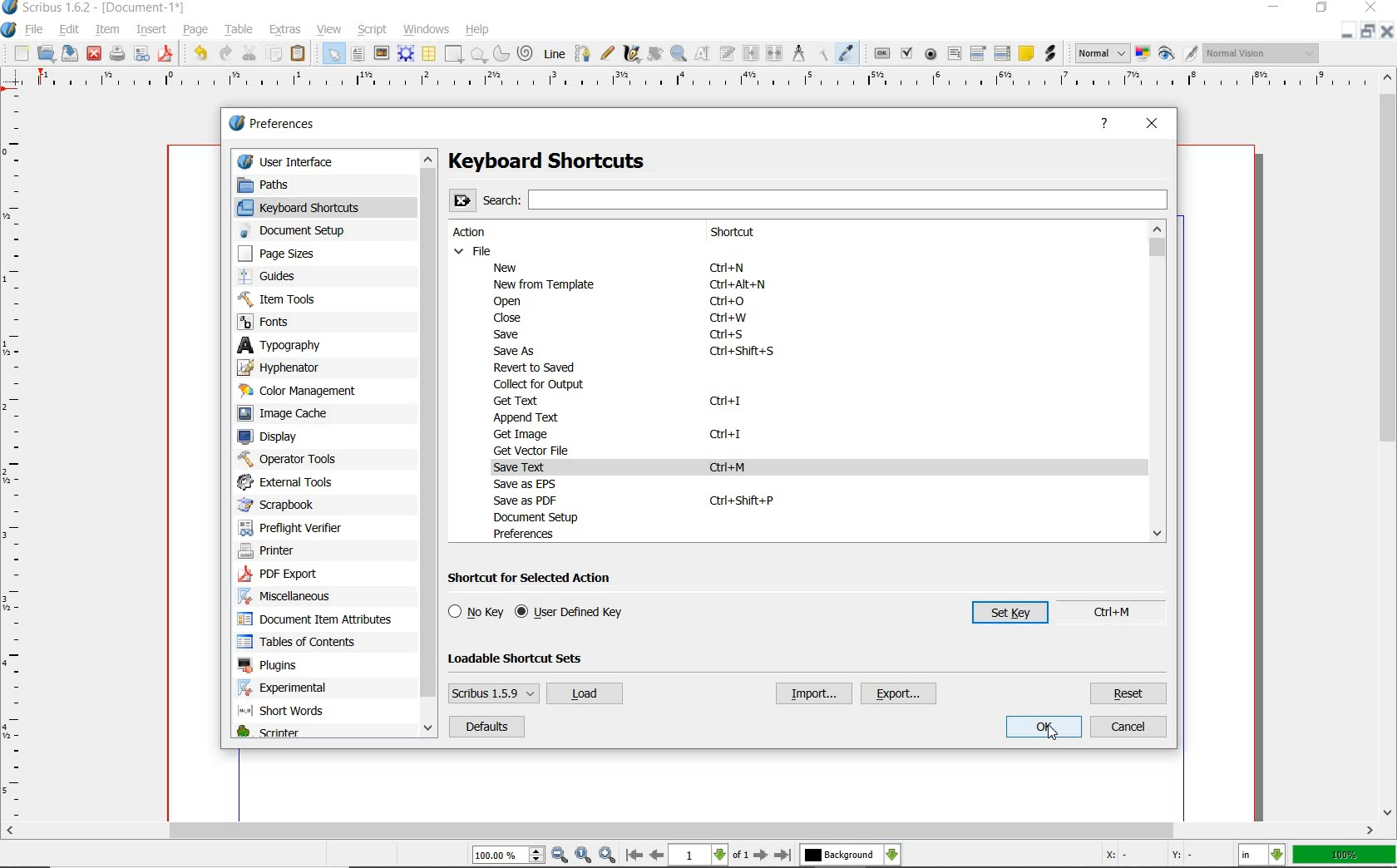 The image size is (1397, 868). What do you see at coordinates (312, 207) in the screenshot?
I see `keyboard shortcuts` at bounding box center [312, 207].